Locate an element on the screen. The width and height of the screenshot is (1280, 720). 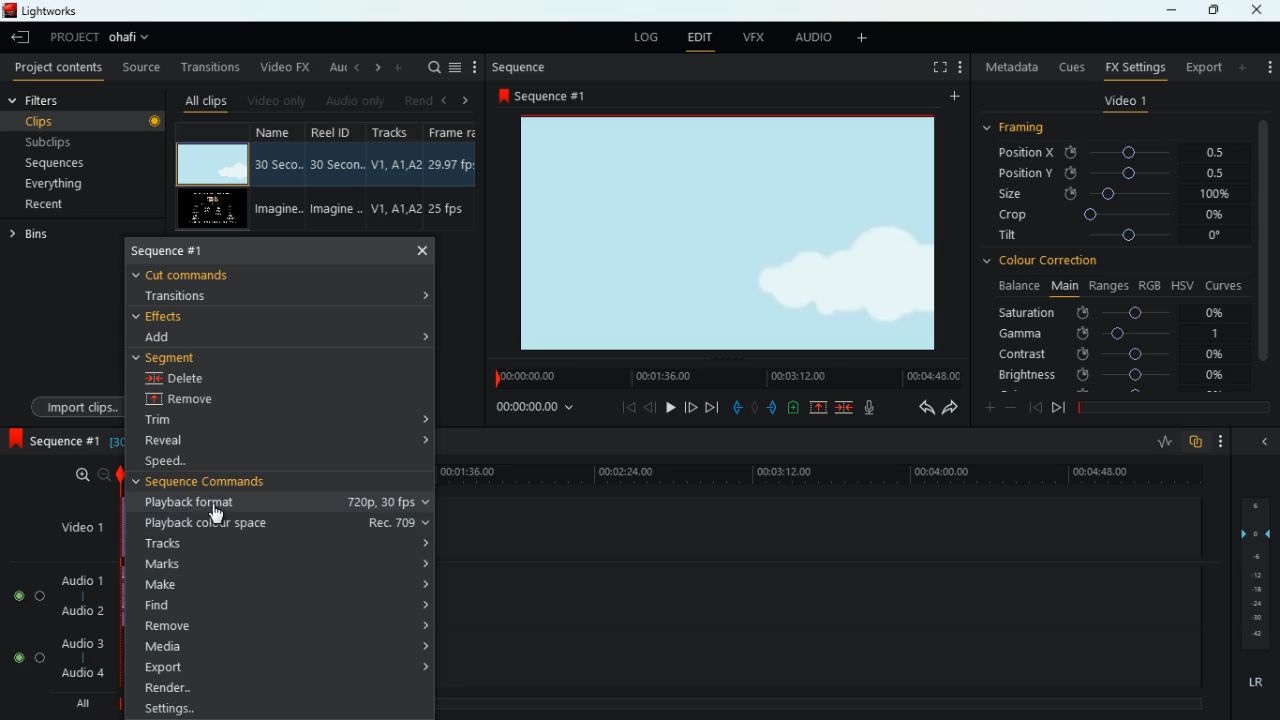
forward is located at coordinates (712, 408).